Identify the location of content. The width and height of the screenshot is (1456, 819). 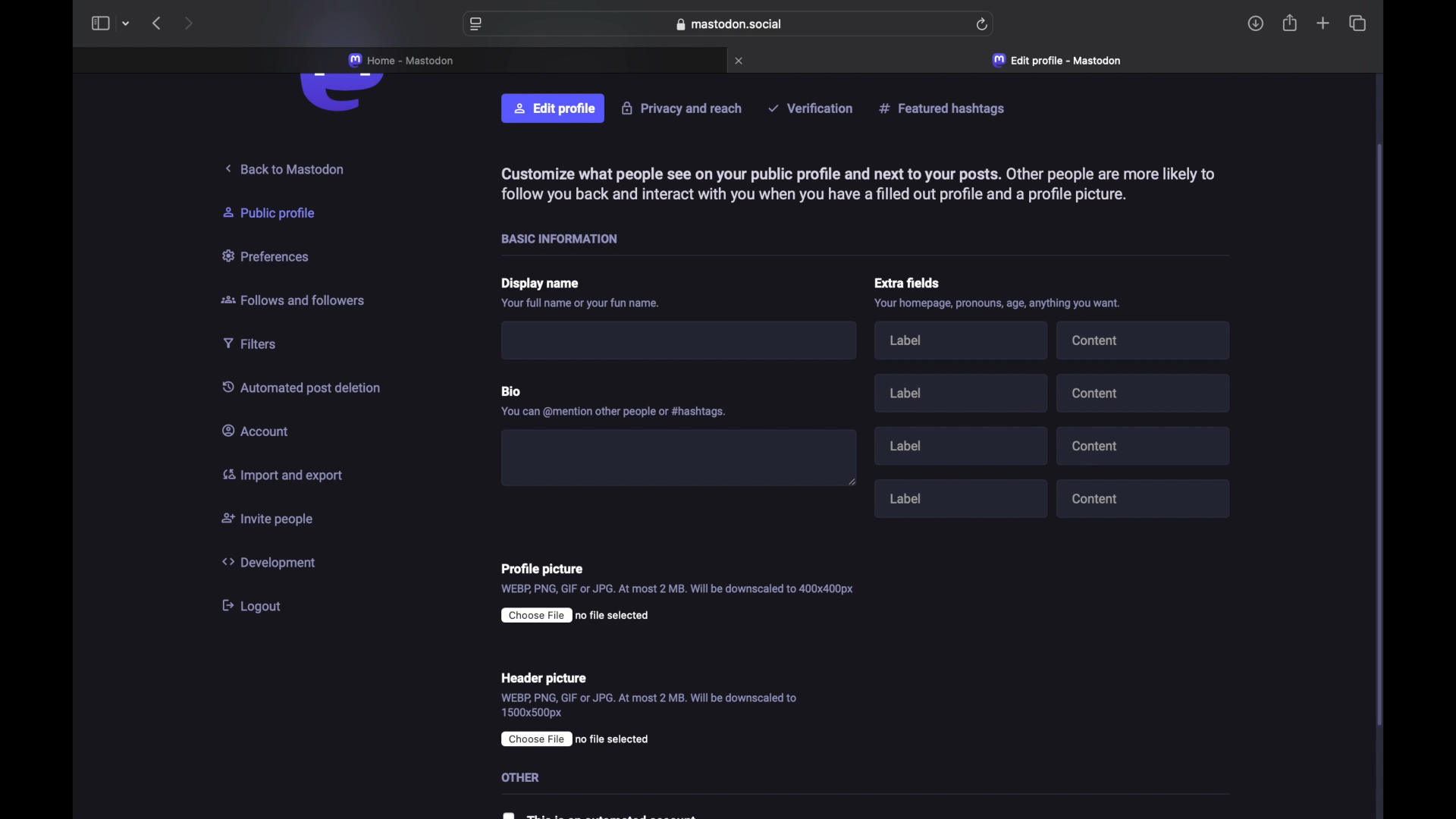
(1145, 499).